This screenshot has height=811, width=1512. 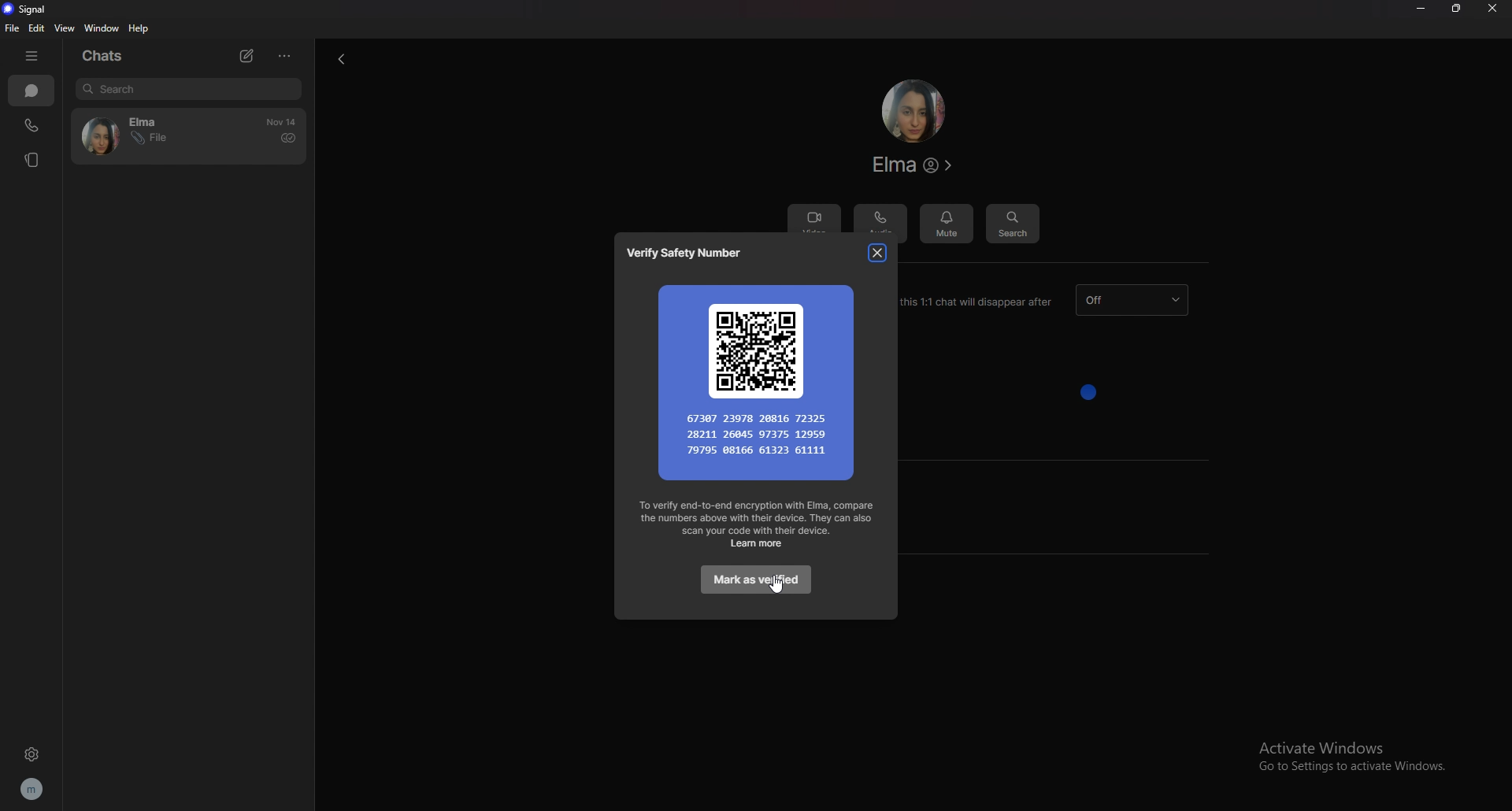 I want to click on chats, so click(x=31, y=91).